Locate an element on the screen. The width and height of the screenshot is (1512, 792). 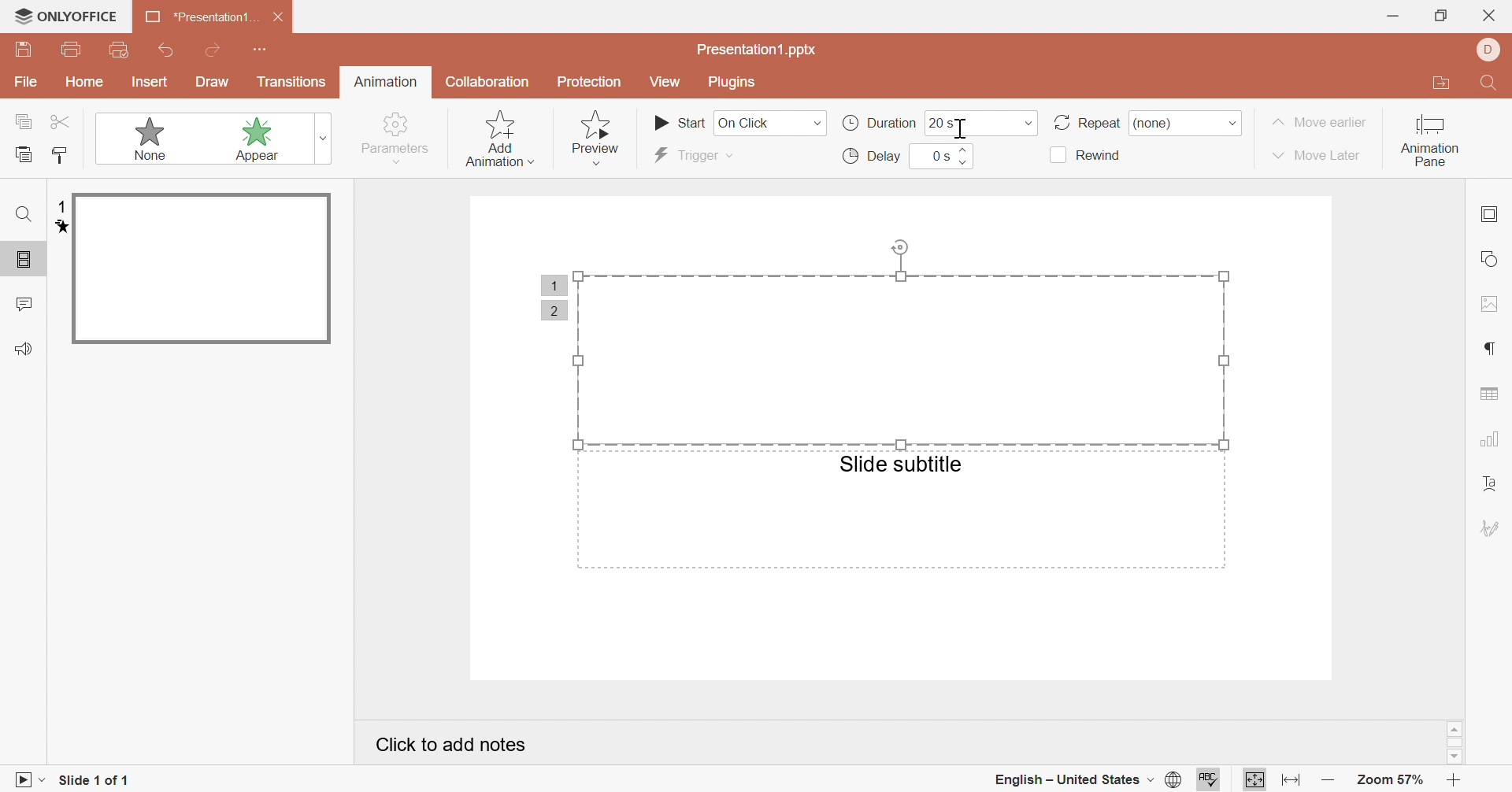
undo is located at coordinates (166, 50).